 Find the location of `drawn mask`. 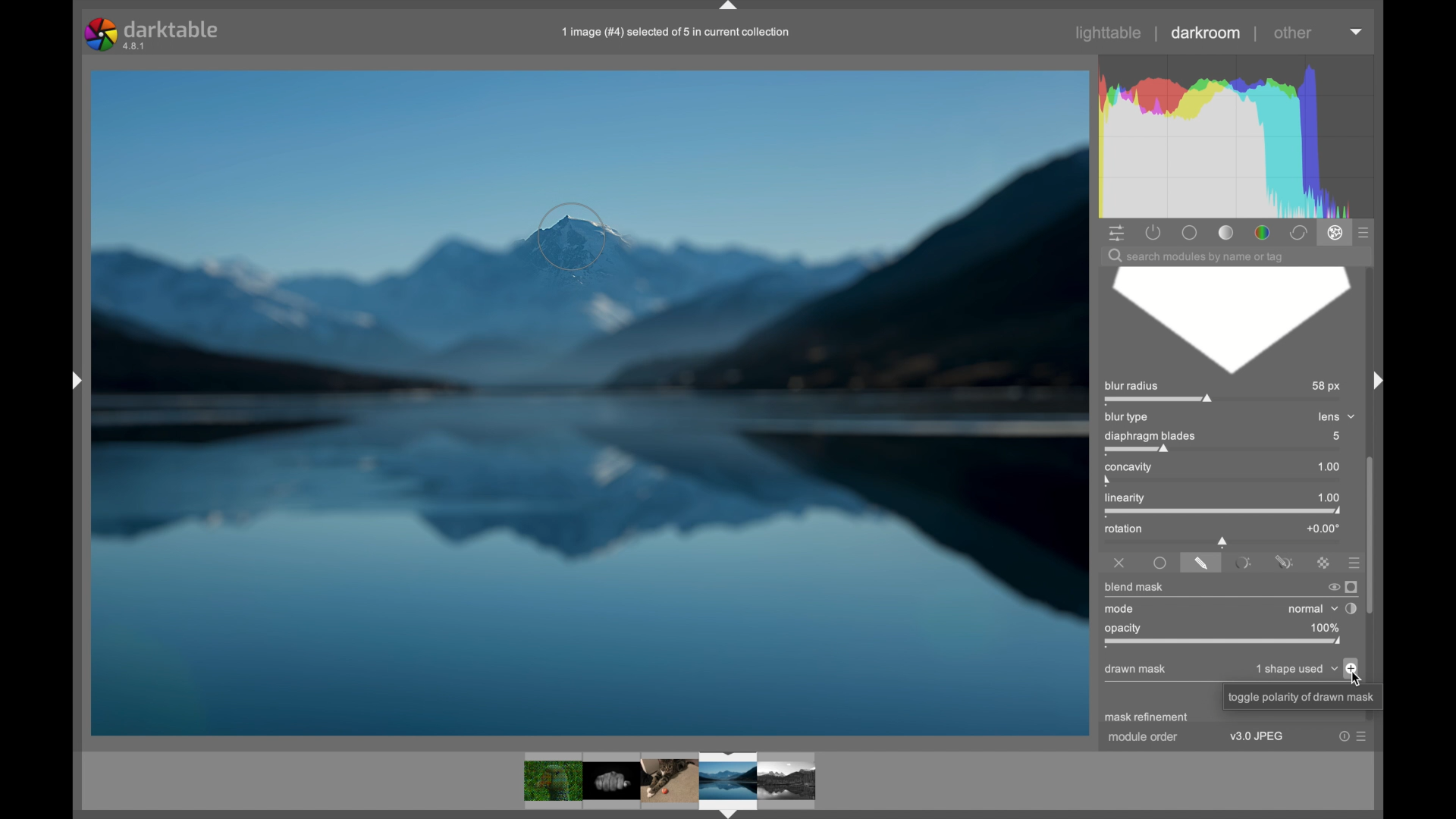

drawn mask is located at coordinates (1137, 670).